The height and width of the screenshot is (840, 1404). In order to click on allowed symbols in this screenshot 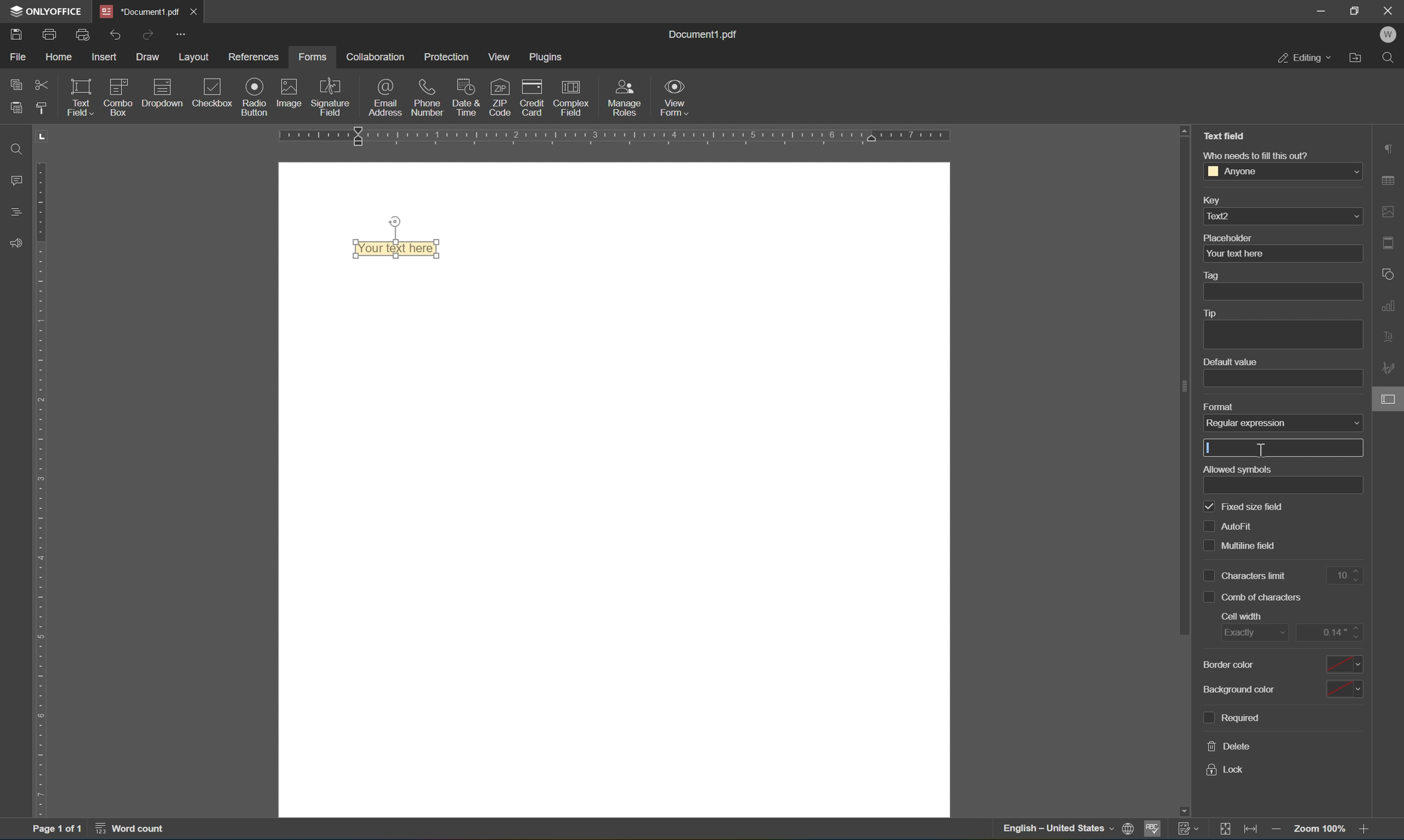, I will do `click(1240, 470)`.